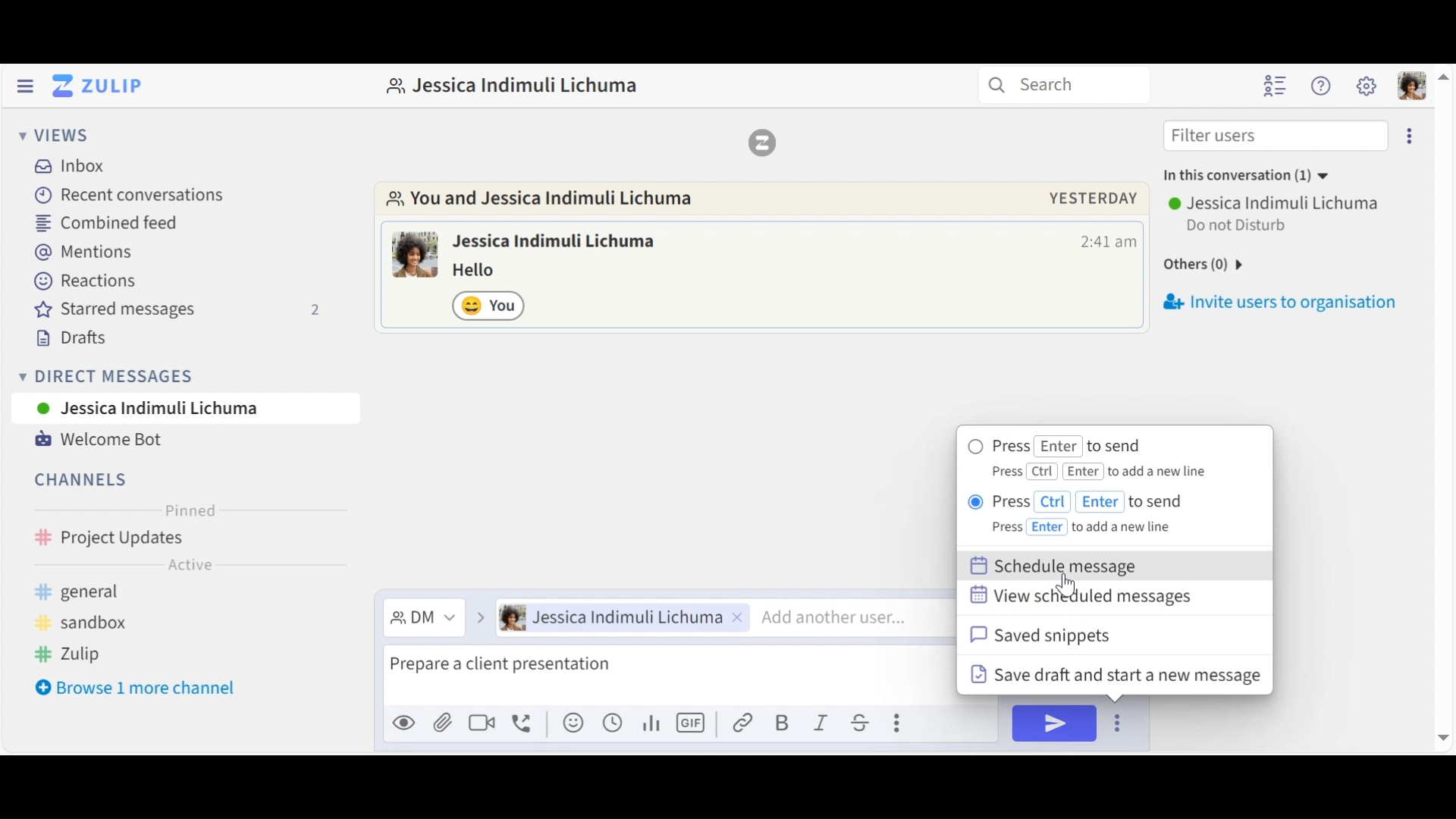 Image resolution: width=1456 pixels, height=819 pixels. I want to click on View scheduled message, so click(1085, 598).